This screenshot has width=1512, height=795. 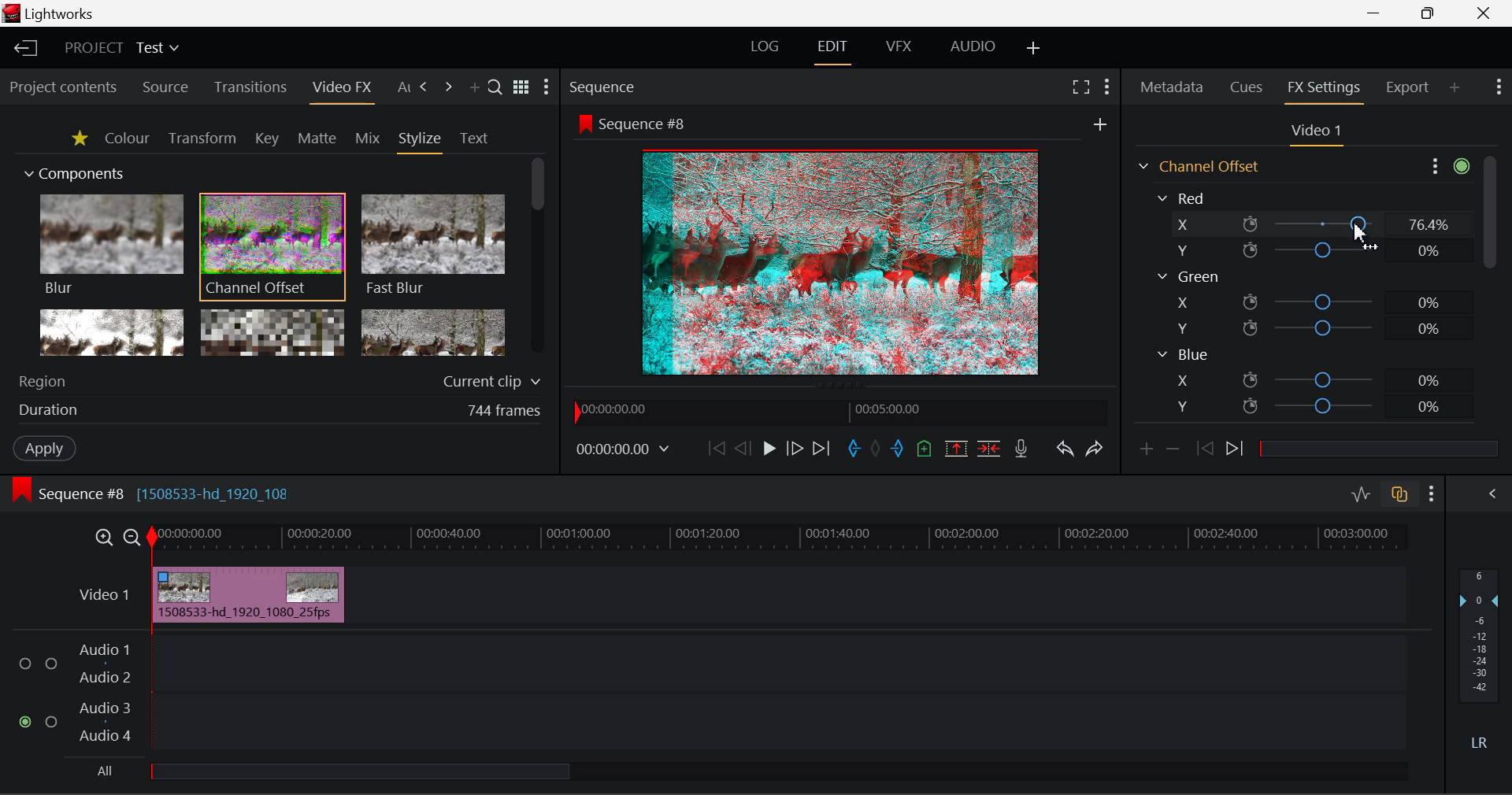 What do you see at coordinates (1379, 14) in the screenshot?
I see `Restore Down` at bounding box center [1379, 14].